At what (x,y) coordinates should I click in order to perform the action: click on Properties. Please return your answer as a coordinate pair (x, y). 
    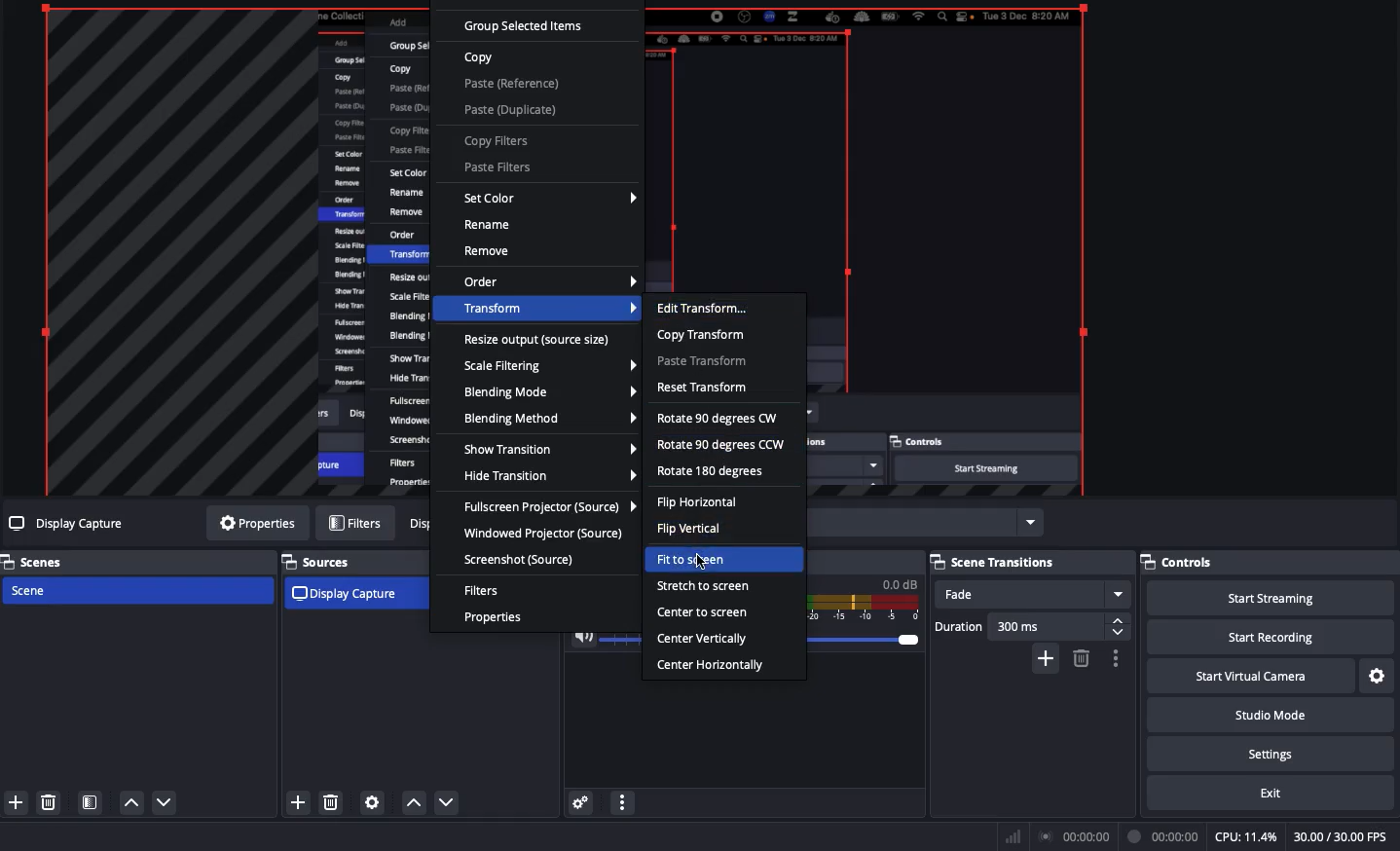
    Looking at the image, I should click on (256, 525).